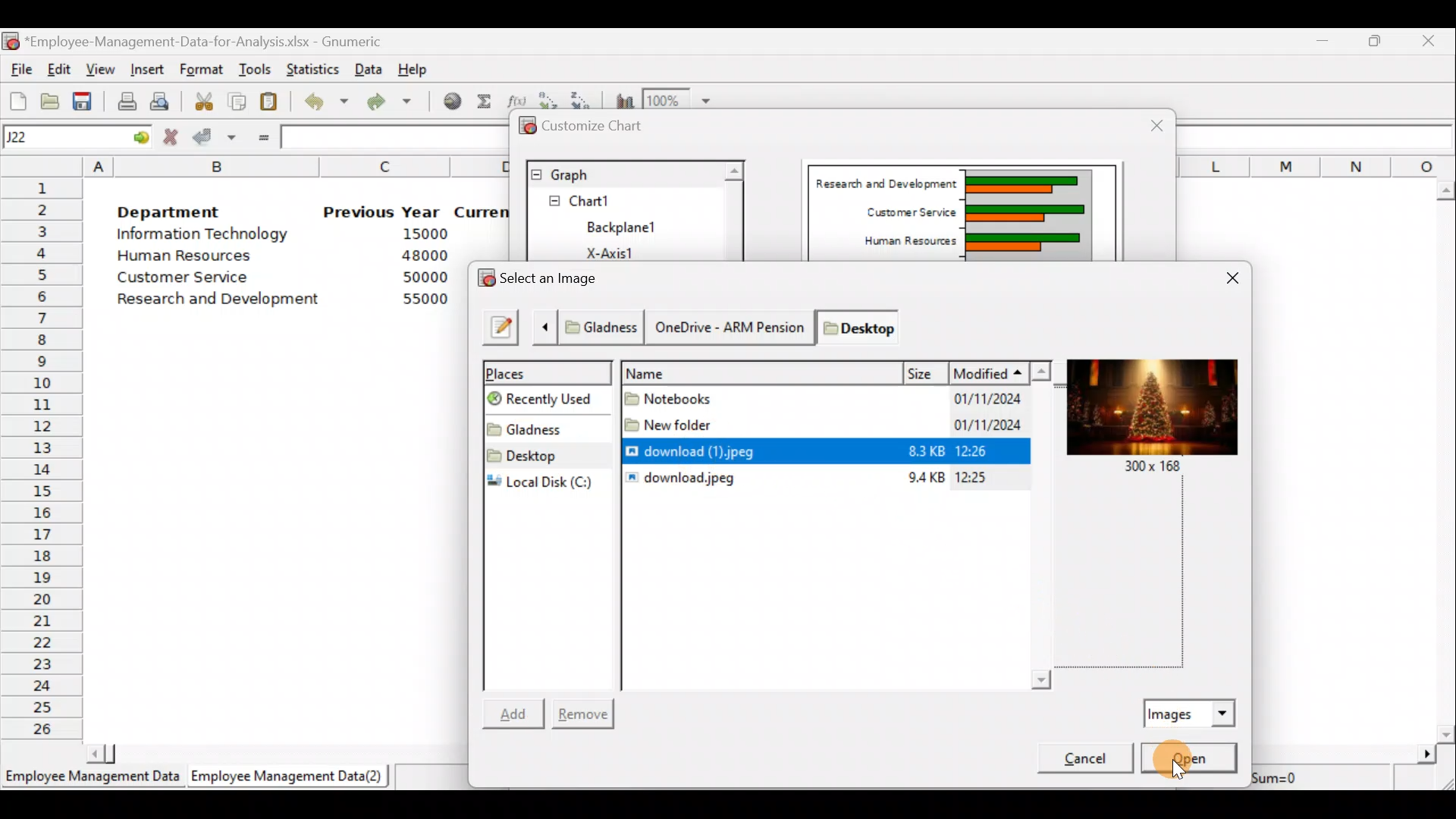 This screenshot has height=819, width=1456. Describe the element at coordinates (763, 372) in the screenshot. I see `Name` at that location.